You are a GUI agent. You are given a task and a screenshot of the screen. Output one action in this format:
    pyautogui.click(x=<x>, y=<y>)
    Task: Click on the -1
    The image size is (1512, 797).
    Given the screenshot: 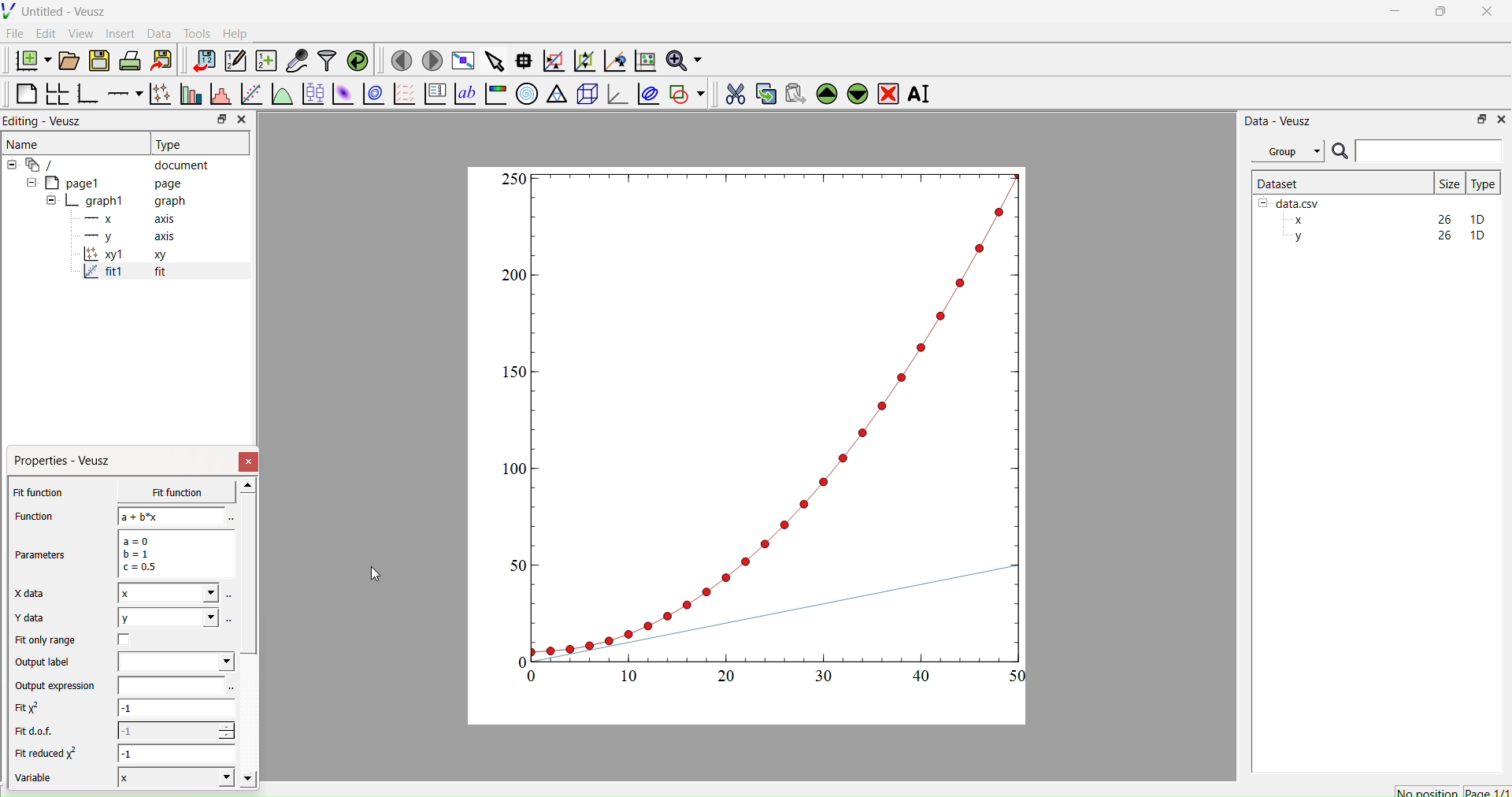 What is the action you would take?
    pyautogui.click(x=176, y=710)
    